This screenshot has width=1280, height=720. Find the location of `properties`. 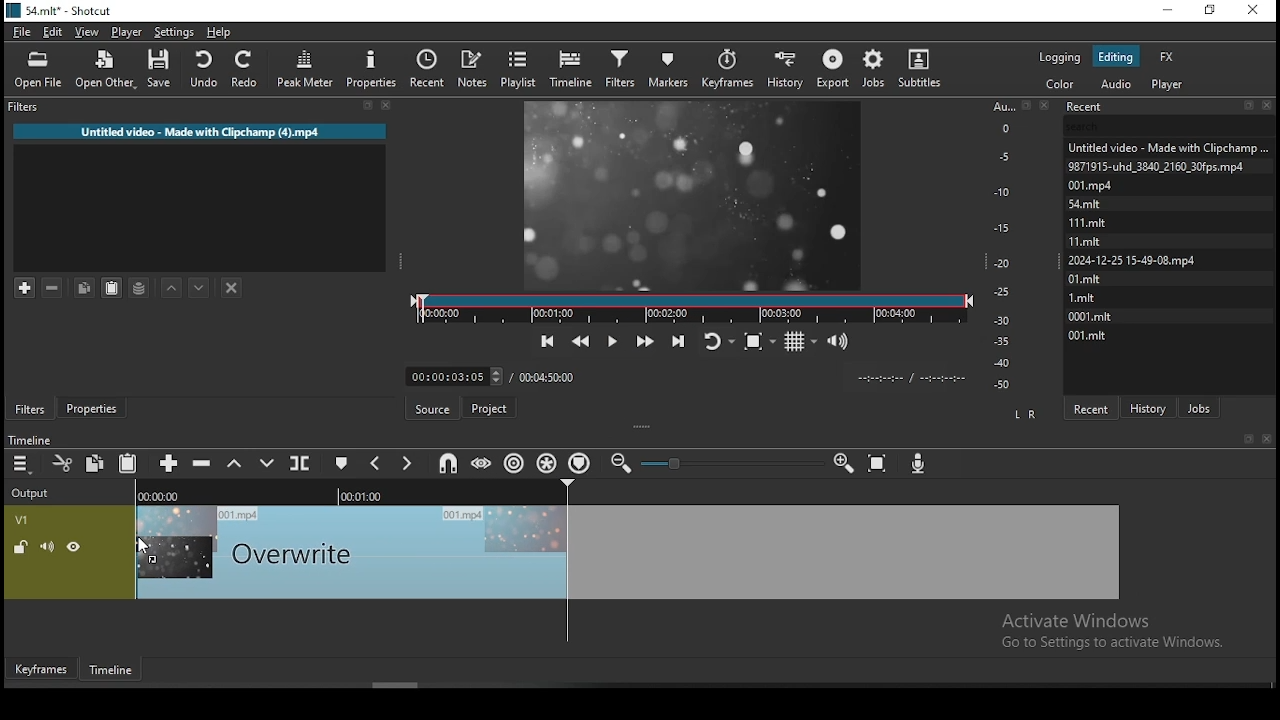

properties is located at coordinates (94, 408).